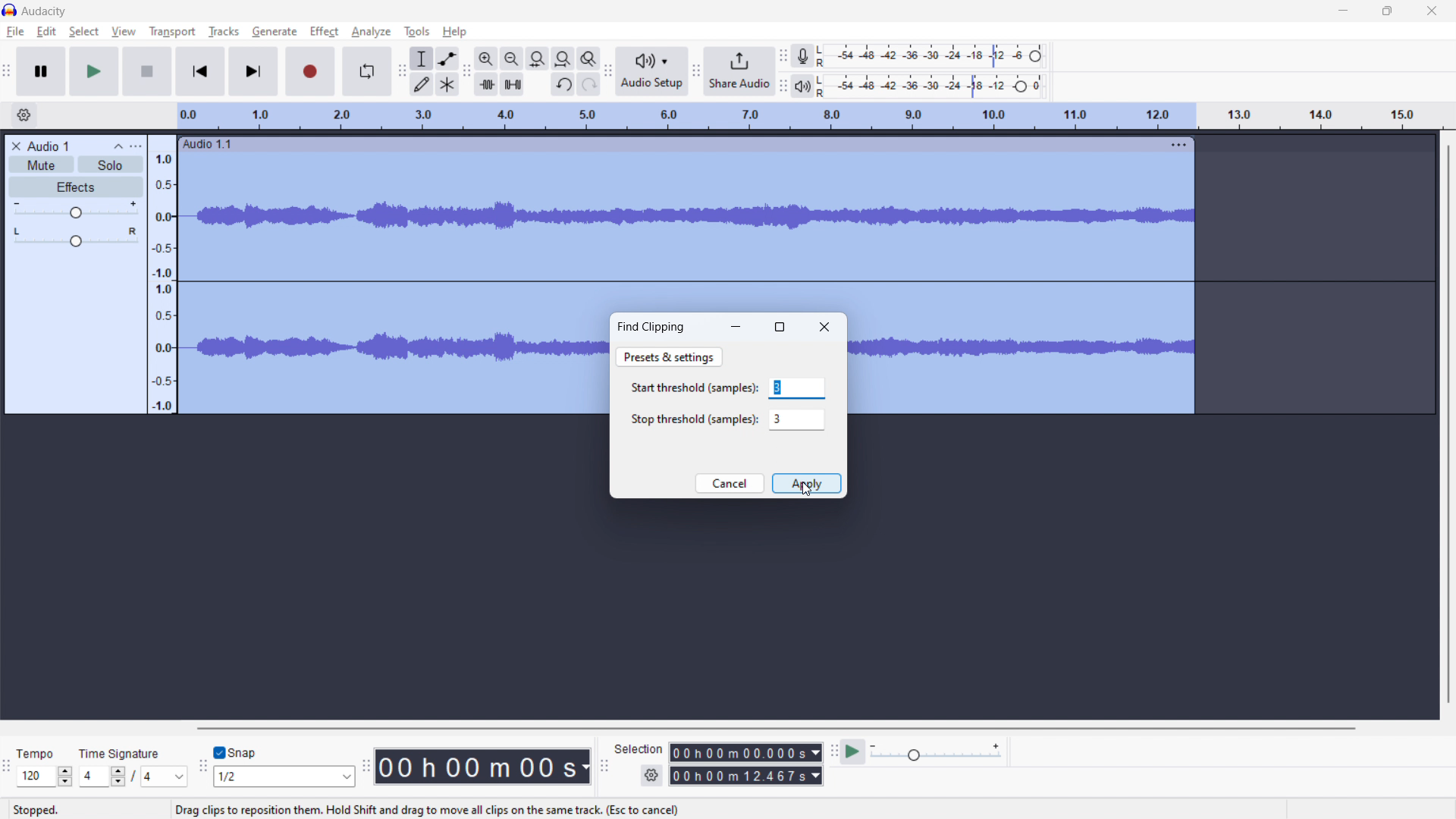 This screenshot has height=819, width=1456. Describe the element at coordinates (173, 32) in the screenshot. I see `transport` at that location.